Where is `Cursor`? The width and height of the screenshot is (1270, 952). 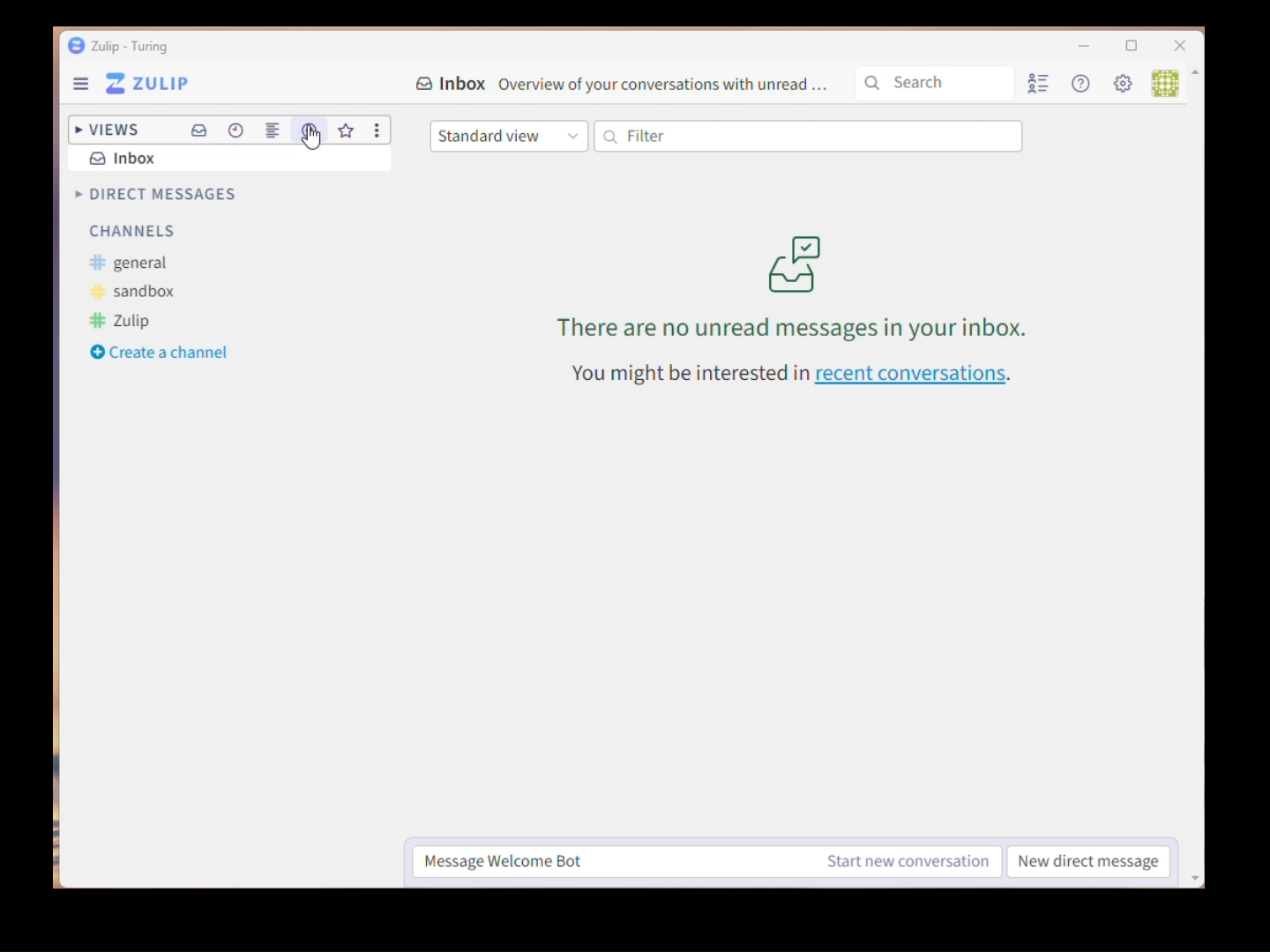
Cursor is located at coordinates (312, 143).